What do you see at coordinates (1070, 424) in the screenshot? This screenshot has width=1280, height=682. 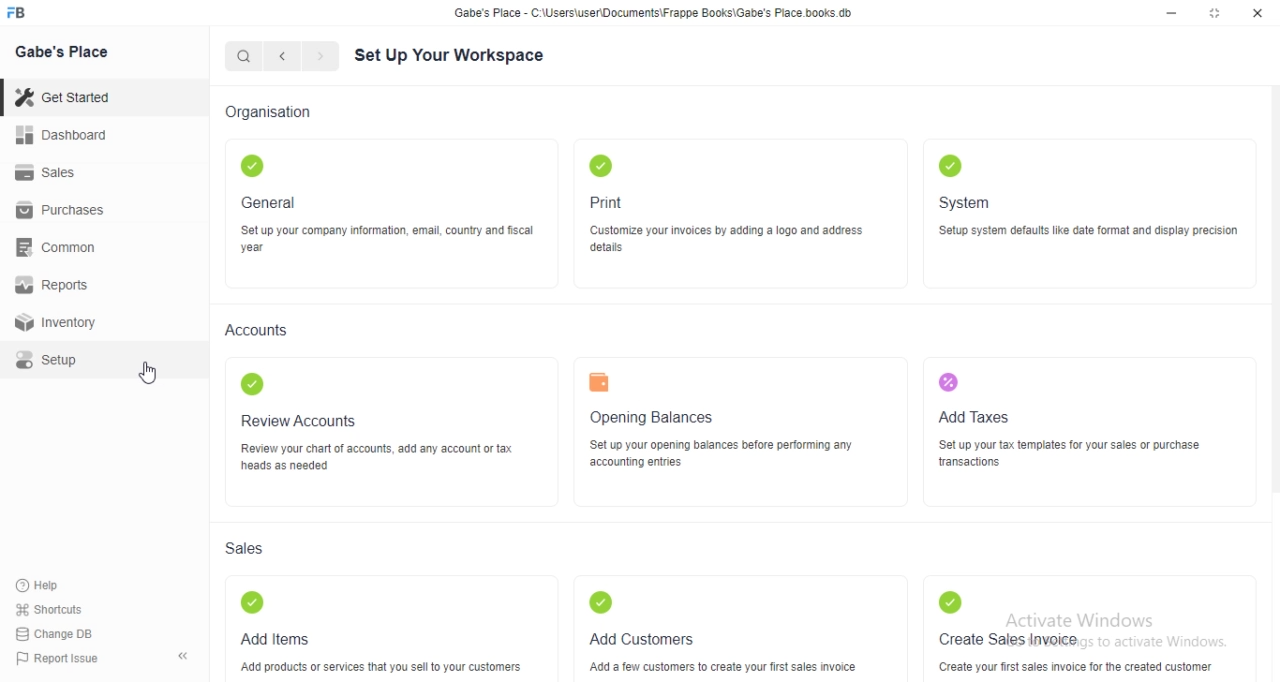 I see `‘Add Taxes. Set up your tax templates for your sales of purchase transactions` at bounding box center [1070, 424].